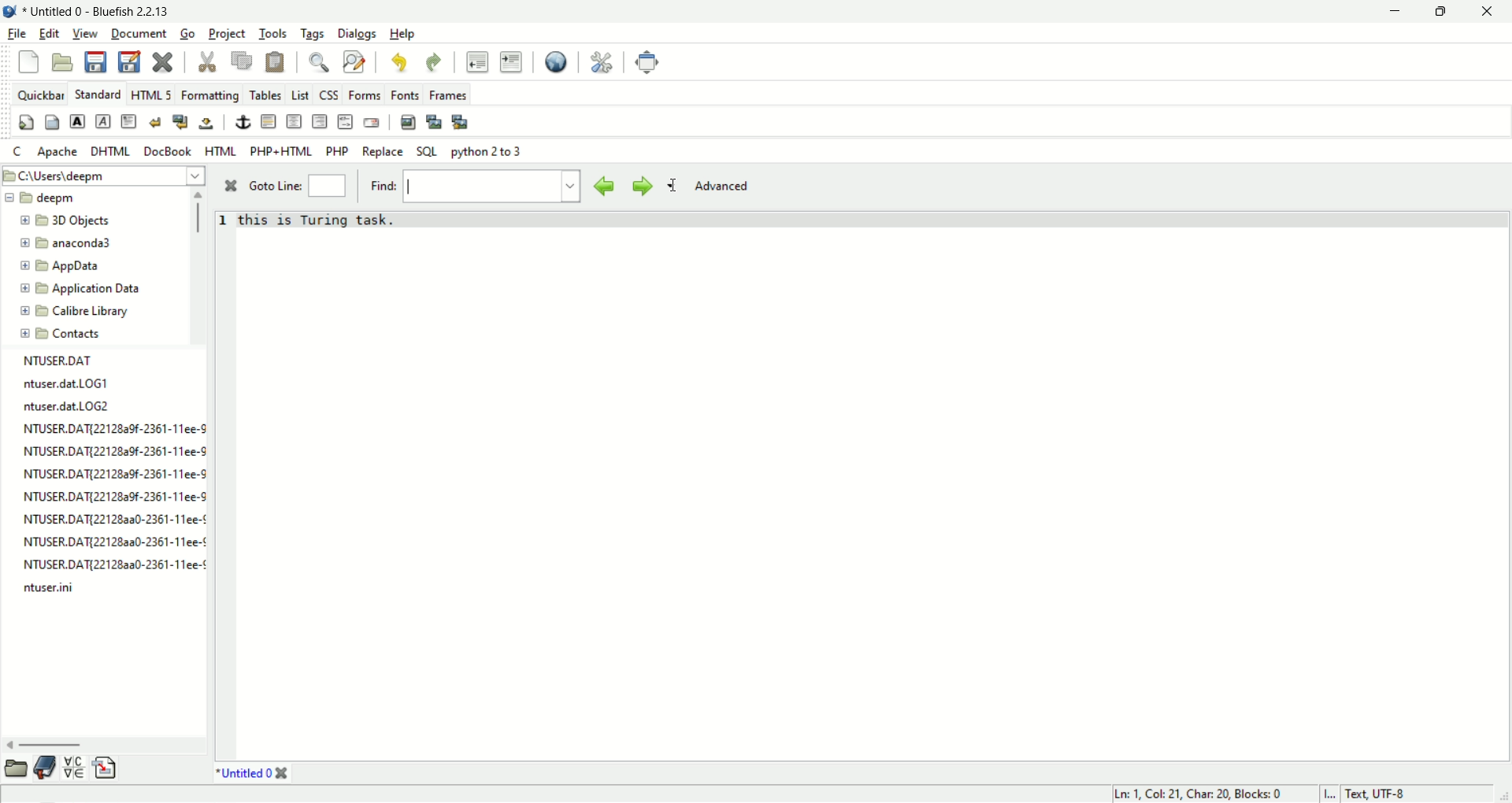 Image resolution: width=1512 pixels, height=803 pixels. What do you see at coordinates (371, 123) in the screenshot?
I see `email` at bounding box center [371, 123].